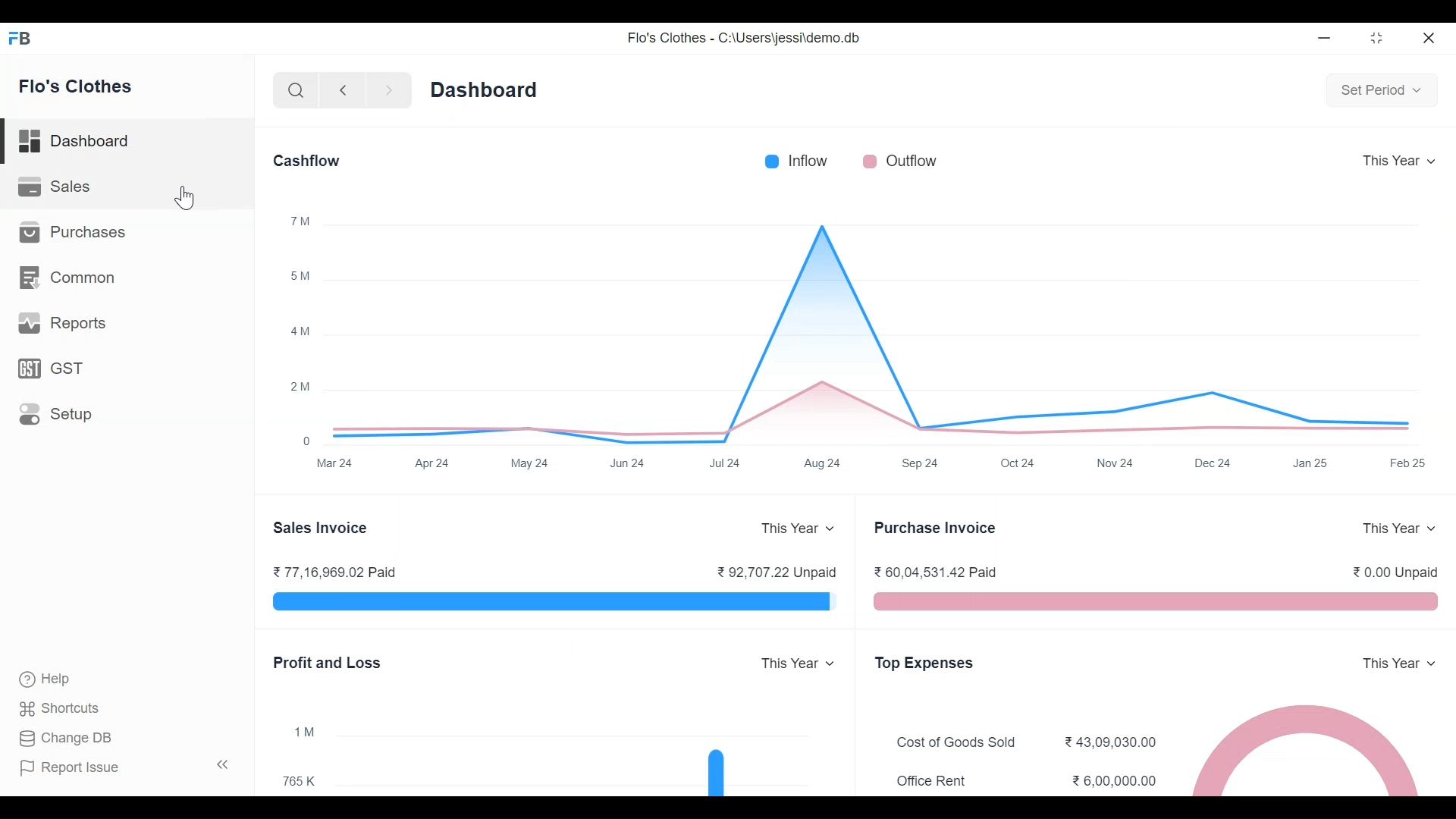 This screenshot has height=819, width=1456. Describe the element at coordinates (1398, 572) in the screenshot. I see `0.00 Unpaid` at that location.